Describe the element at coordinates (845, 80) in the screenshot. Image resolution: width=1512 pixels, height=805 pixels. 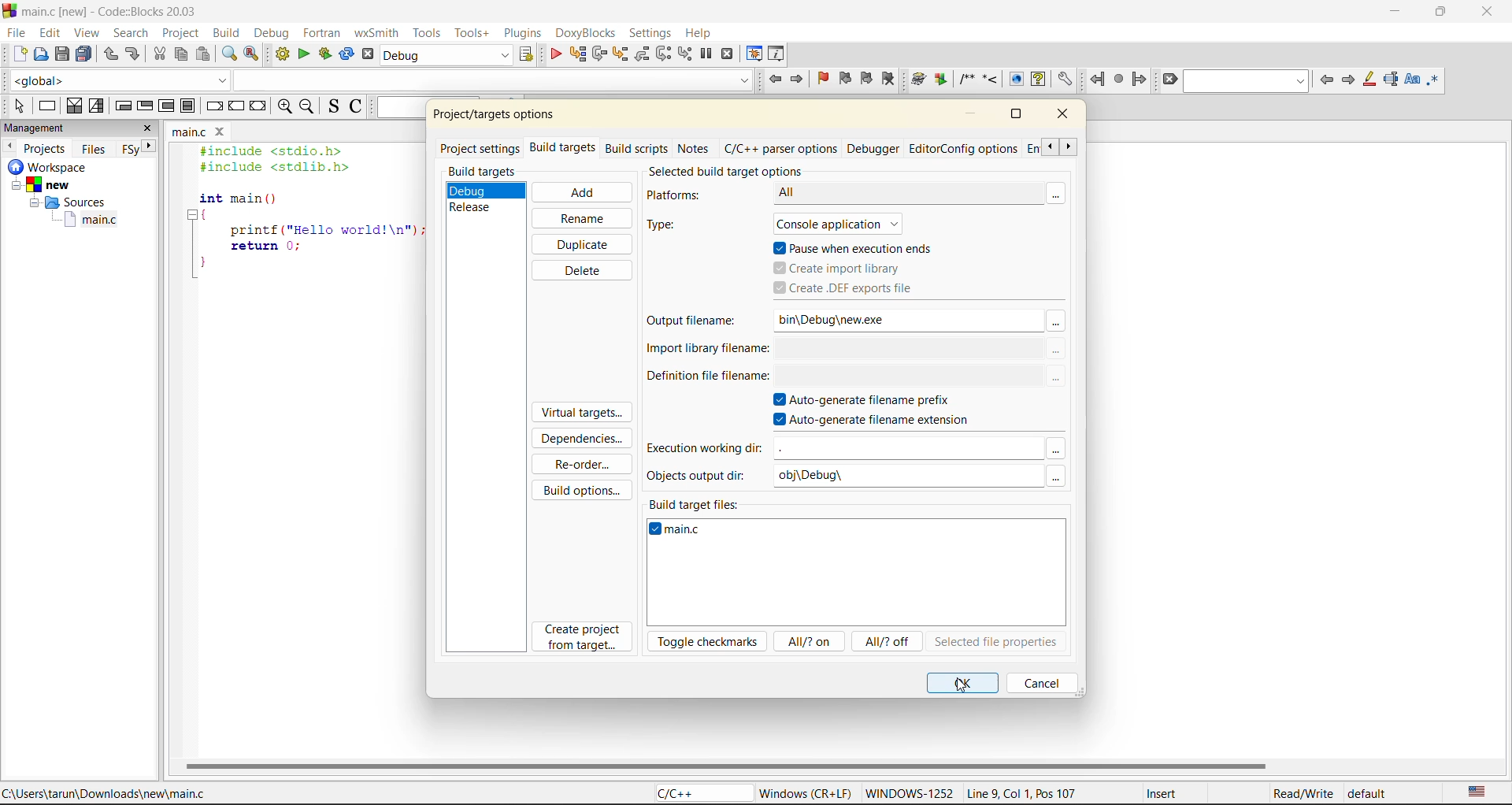
I see `prev bookmark` at that location.